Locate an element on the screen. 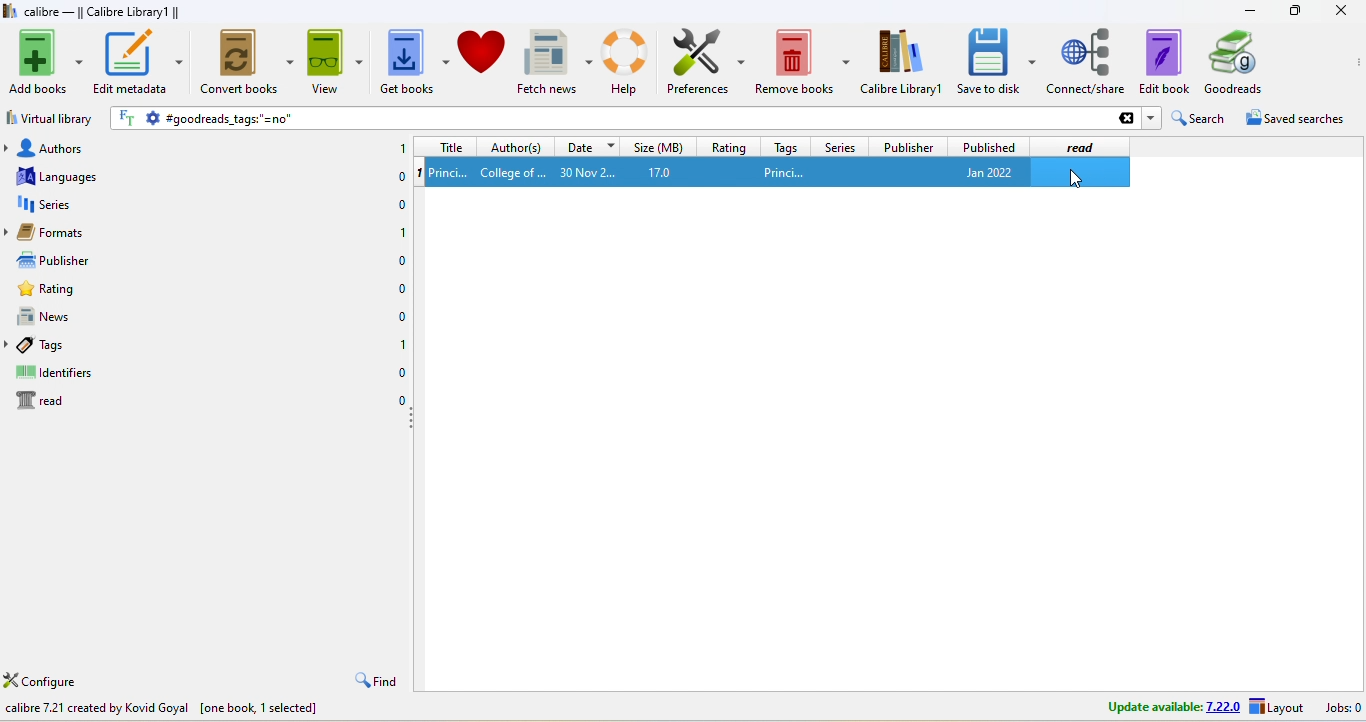  close is located at coordinates (1339, 11).